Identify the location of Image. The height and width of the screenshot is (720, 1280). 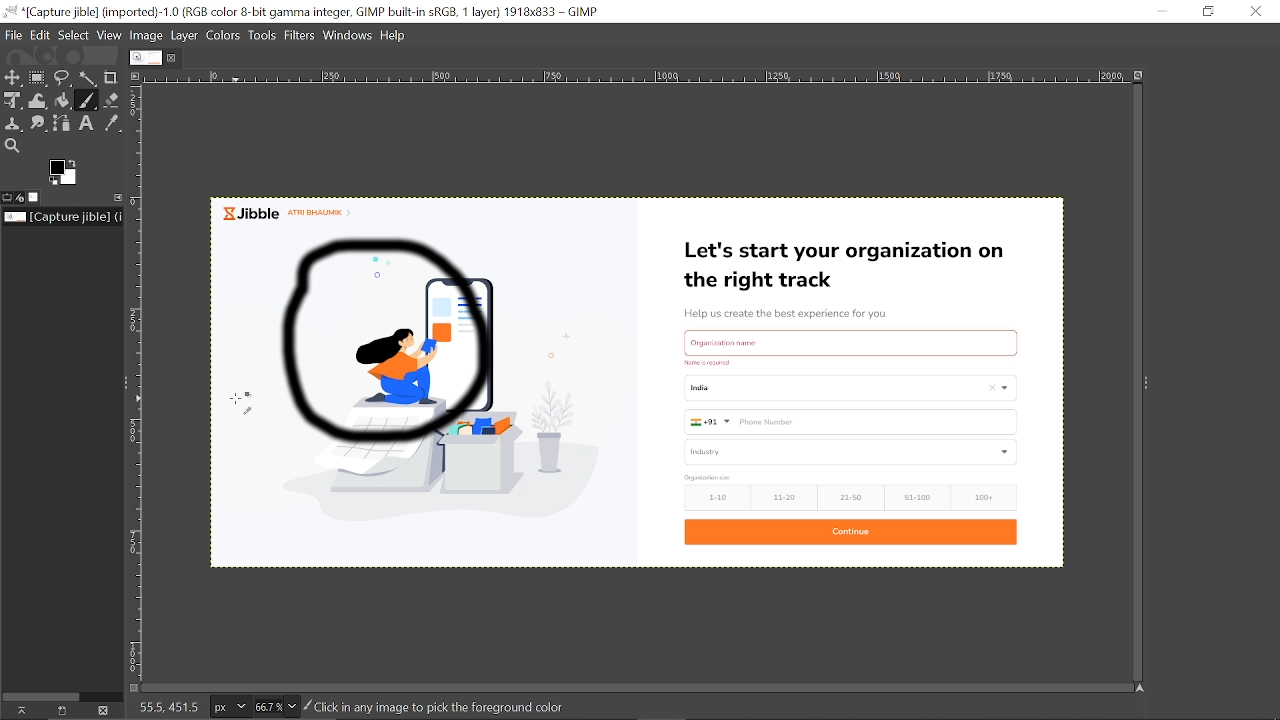
(147, 37).